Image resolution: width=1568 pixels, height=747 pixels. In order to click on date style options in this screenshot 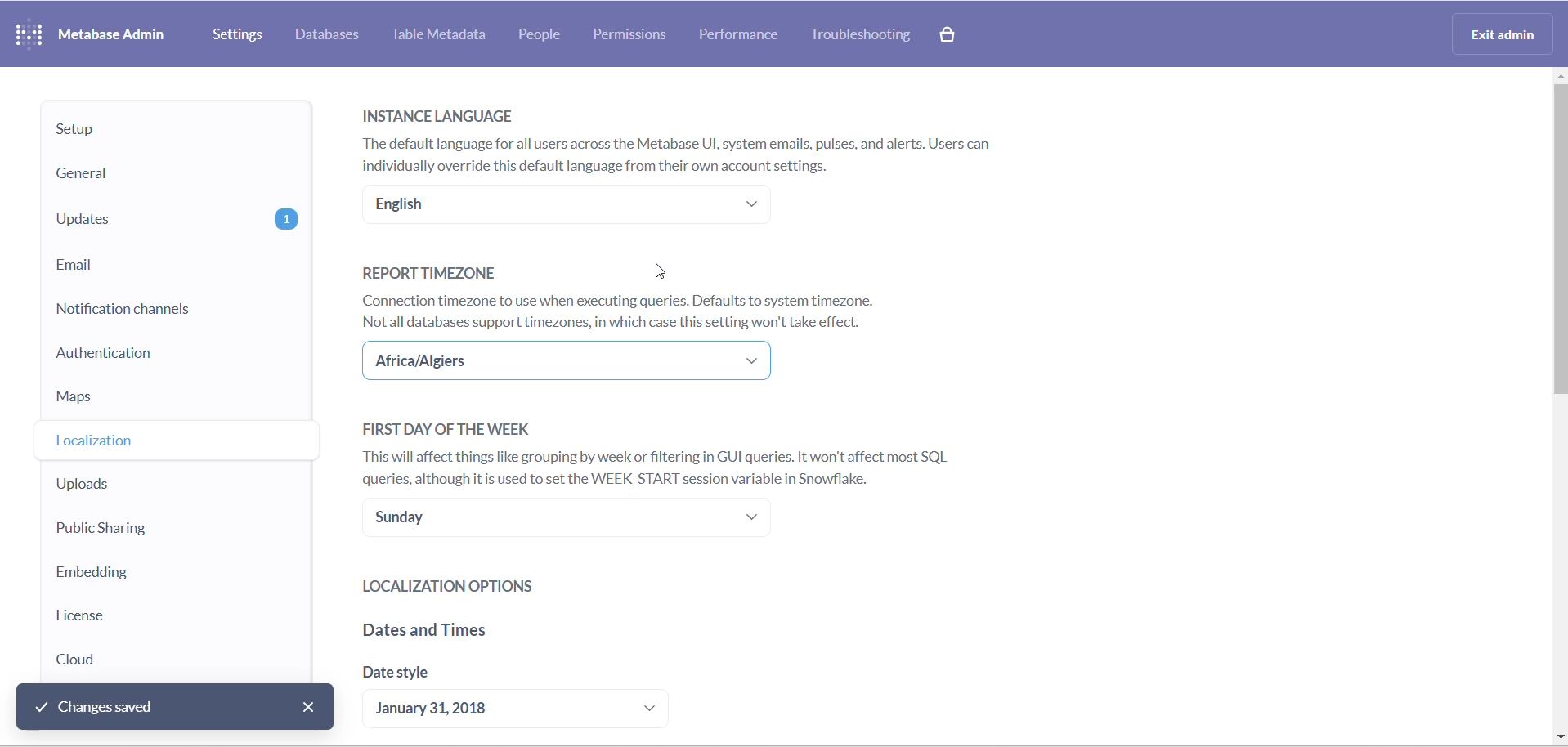, I will do `click(528, 710)`.